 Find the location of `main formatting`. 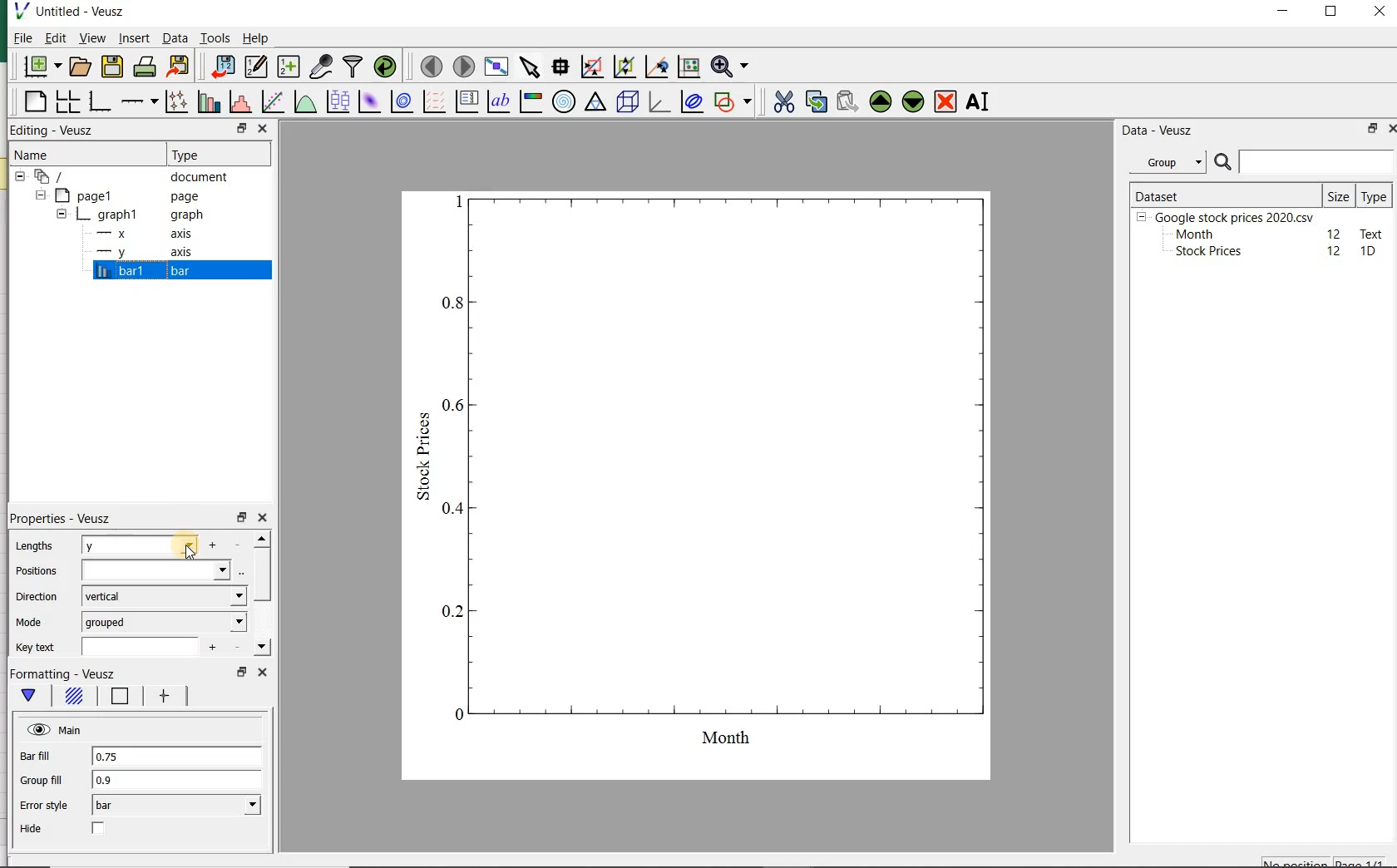

main formatting is located at coordinates (30, 695).